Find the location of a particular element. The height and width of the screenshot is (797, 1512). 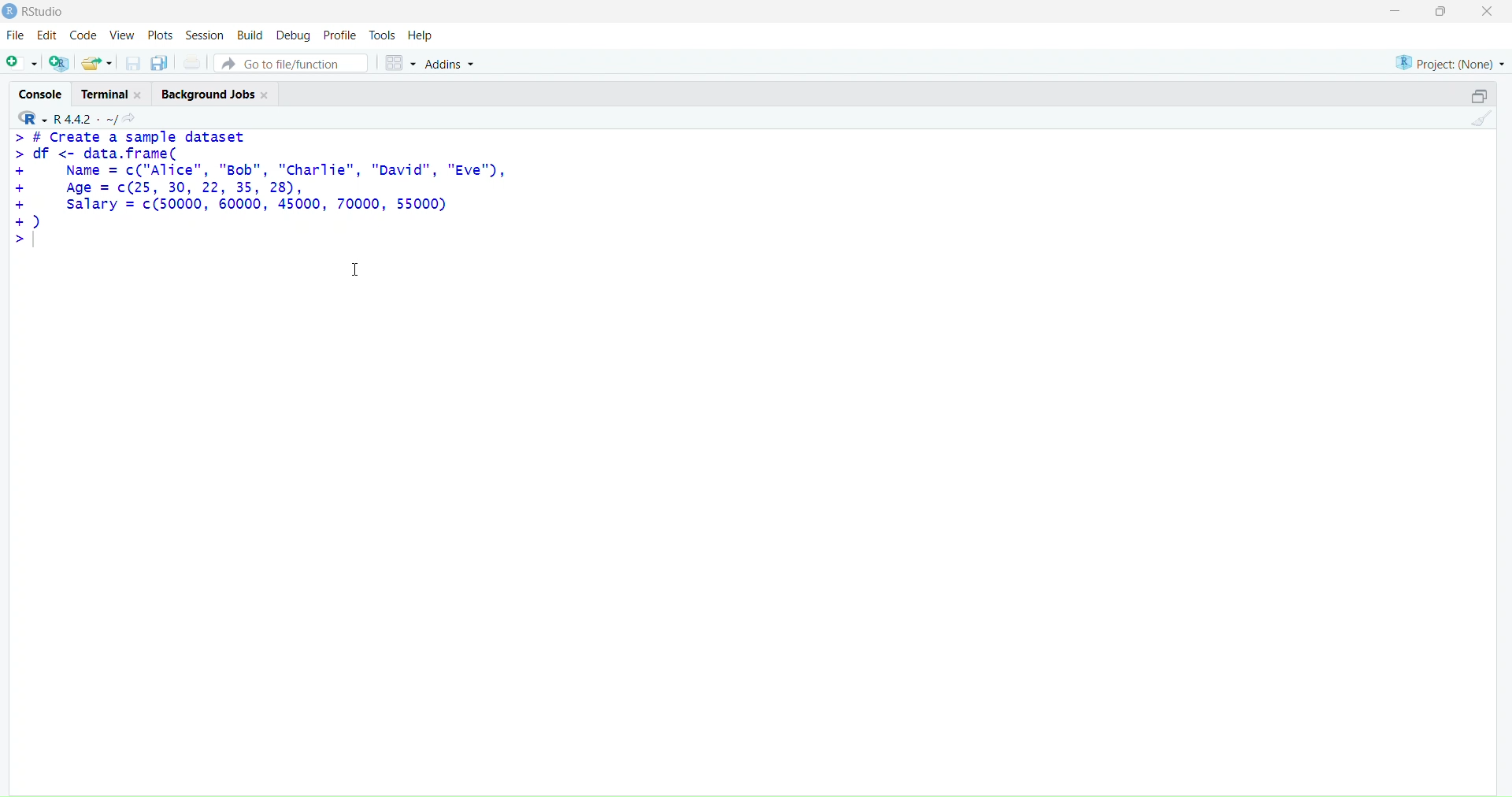

addins is located at coordinates (454, 65).